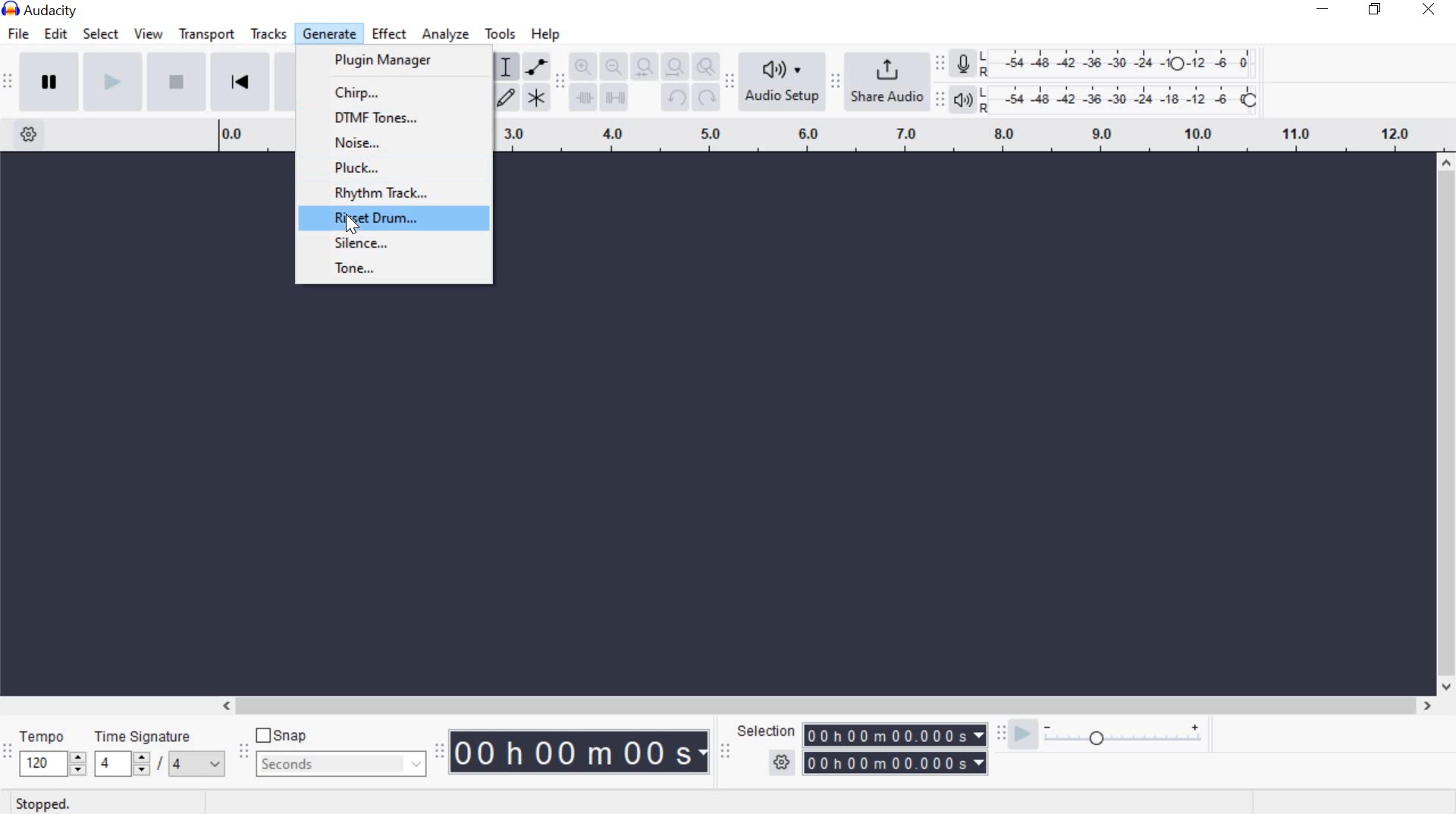 Image resolution: width=1456 pixels, height=814 pixels. What do you see at coordinates (504, 99) in the screenshot?
I see `Draw Tool` at bounding box center [504, 99].